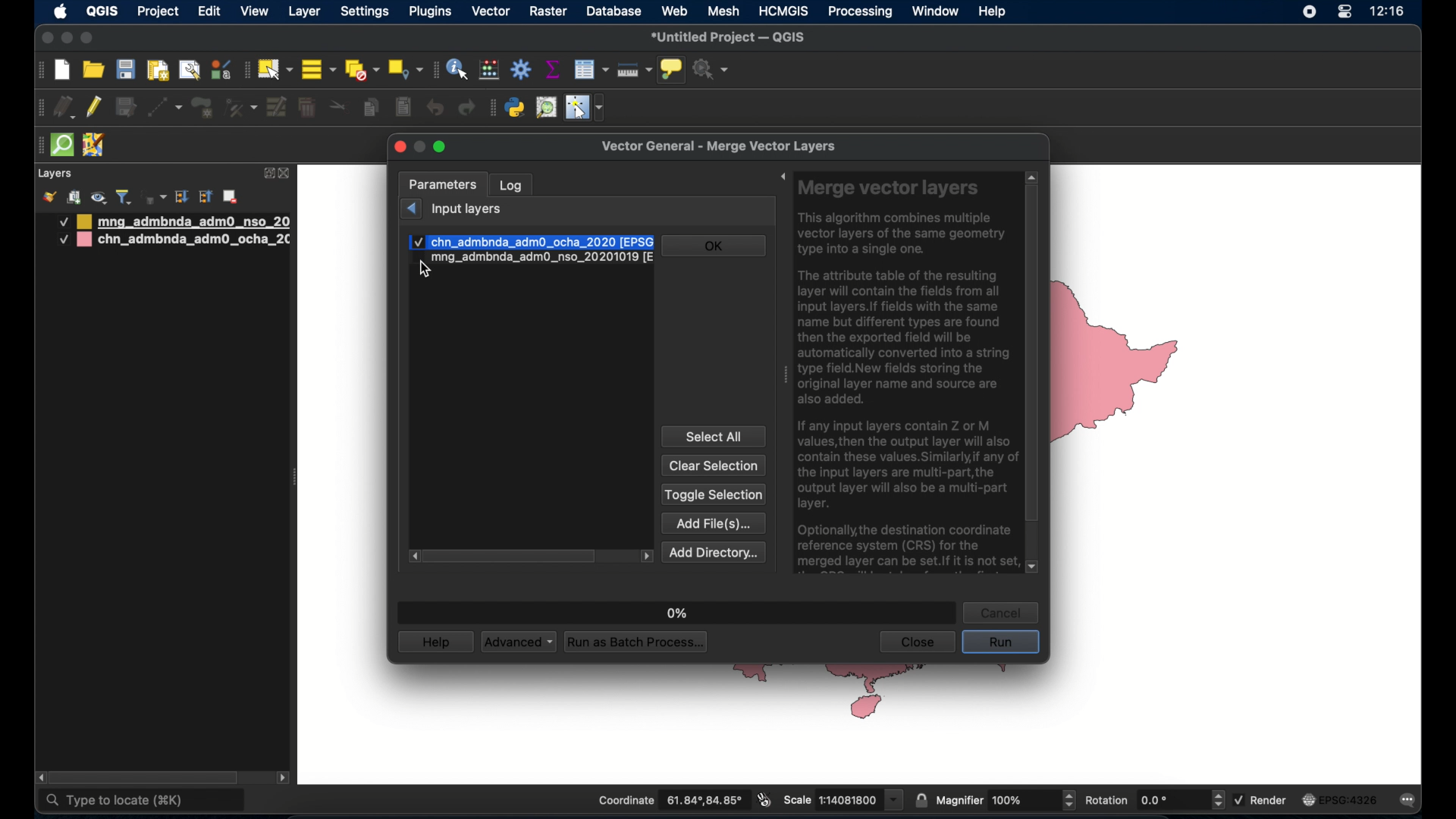 The image size is (1456, 819). Describe the element at coordinates (469, 210) in the screenshot. I see `input layers` at that location.